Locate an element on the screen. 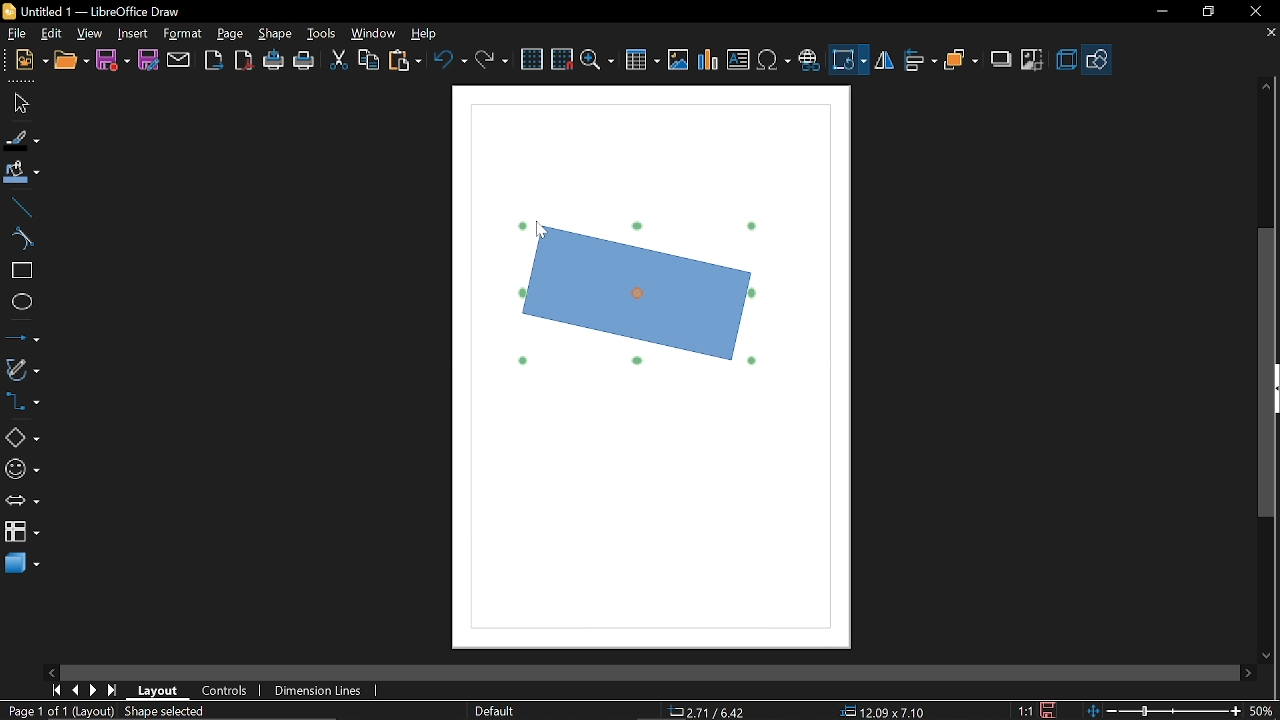 The image size is (1280, 720). paste is located at coordinates (406, 60).